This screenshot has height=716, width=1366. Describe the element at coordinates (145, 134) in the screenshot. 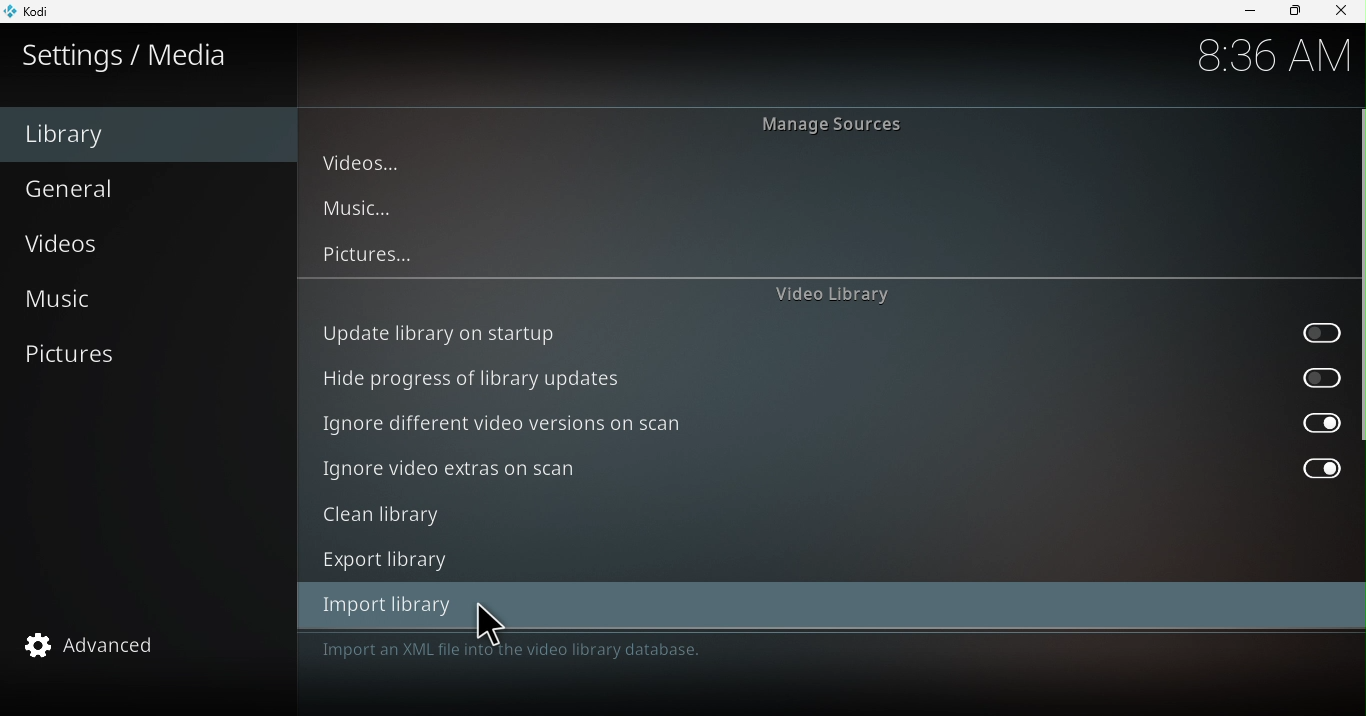

I see `Library` at that location.